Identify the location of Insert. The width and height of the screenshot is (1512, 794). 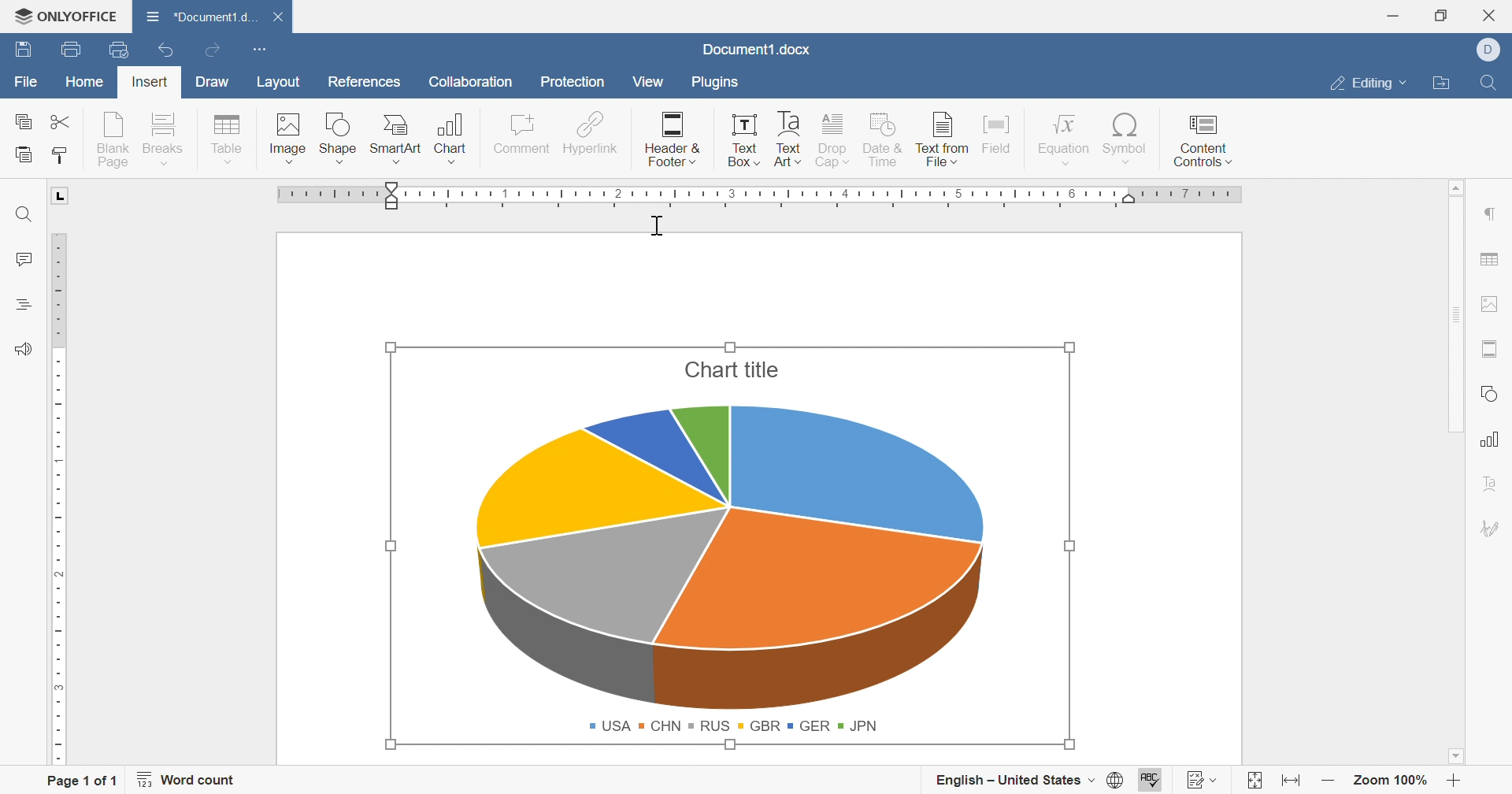
(150, 82).